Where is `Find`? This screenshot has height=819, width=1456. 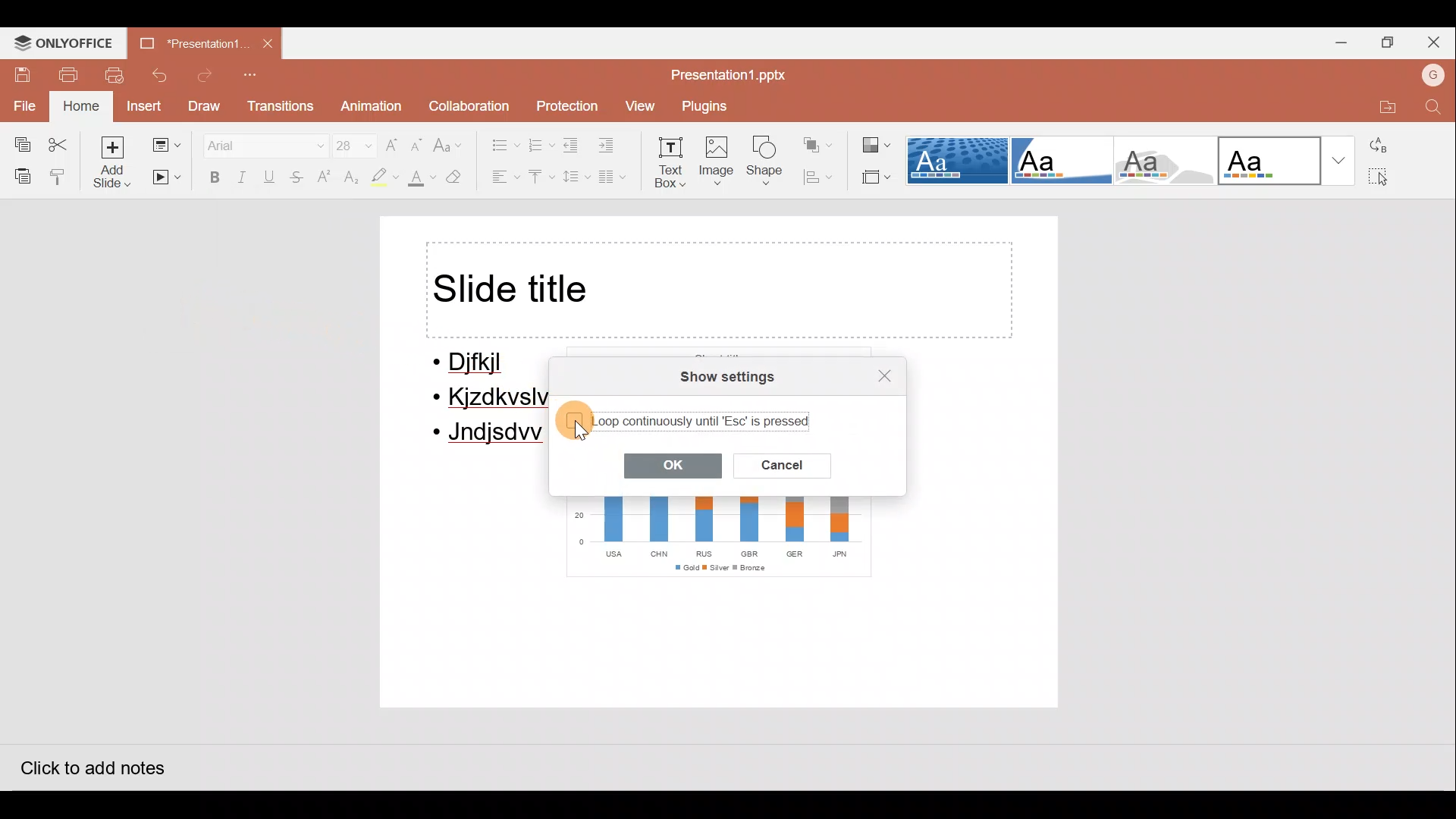
Find is located at coordinates (1432, 108).